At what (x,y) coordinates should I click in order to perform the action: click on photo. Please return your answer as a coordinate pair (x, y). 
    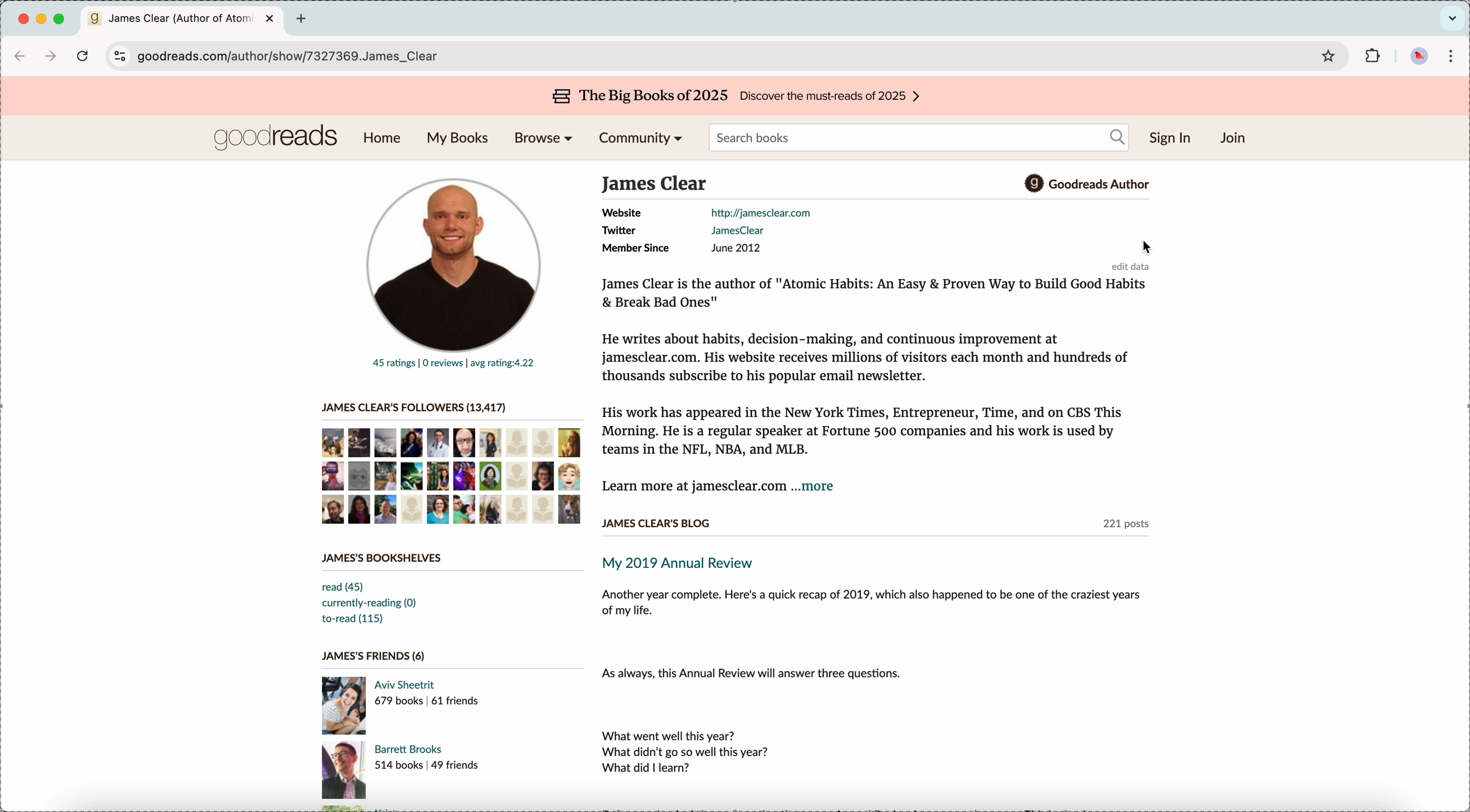
    Looking at the image, I should click on (345, 771).